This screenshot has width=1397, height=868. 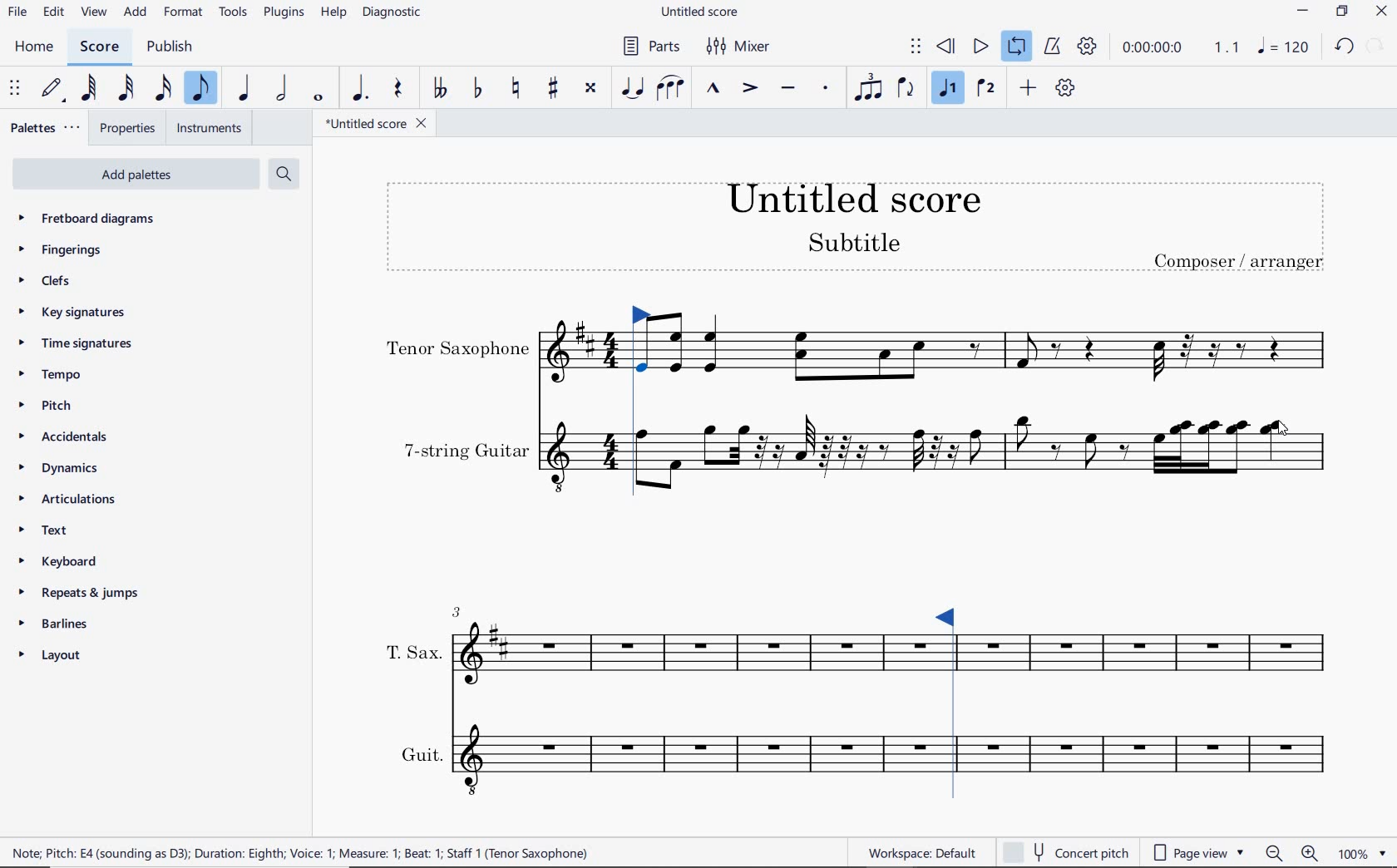 I want to click on TOGGLE-DOUBLE FLAT, so click(x=439, y=90).